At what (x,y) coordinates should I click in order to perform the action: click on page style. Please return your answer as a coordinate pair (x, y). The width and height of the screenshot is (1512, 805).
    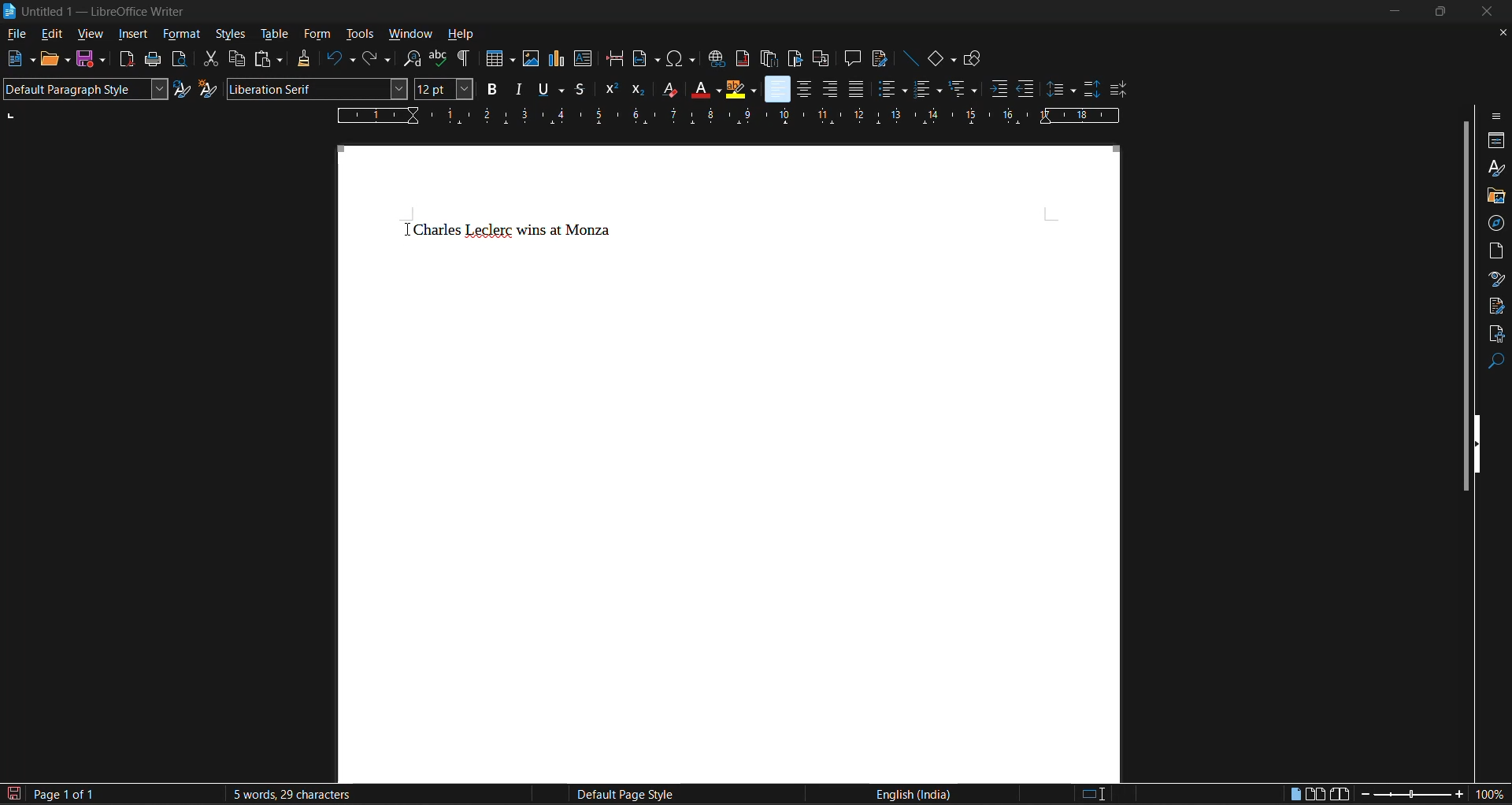
    Looking at the image, I should click on (621, 795).